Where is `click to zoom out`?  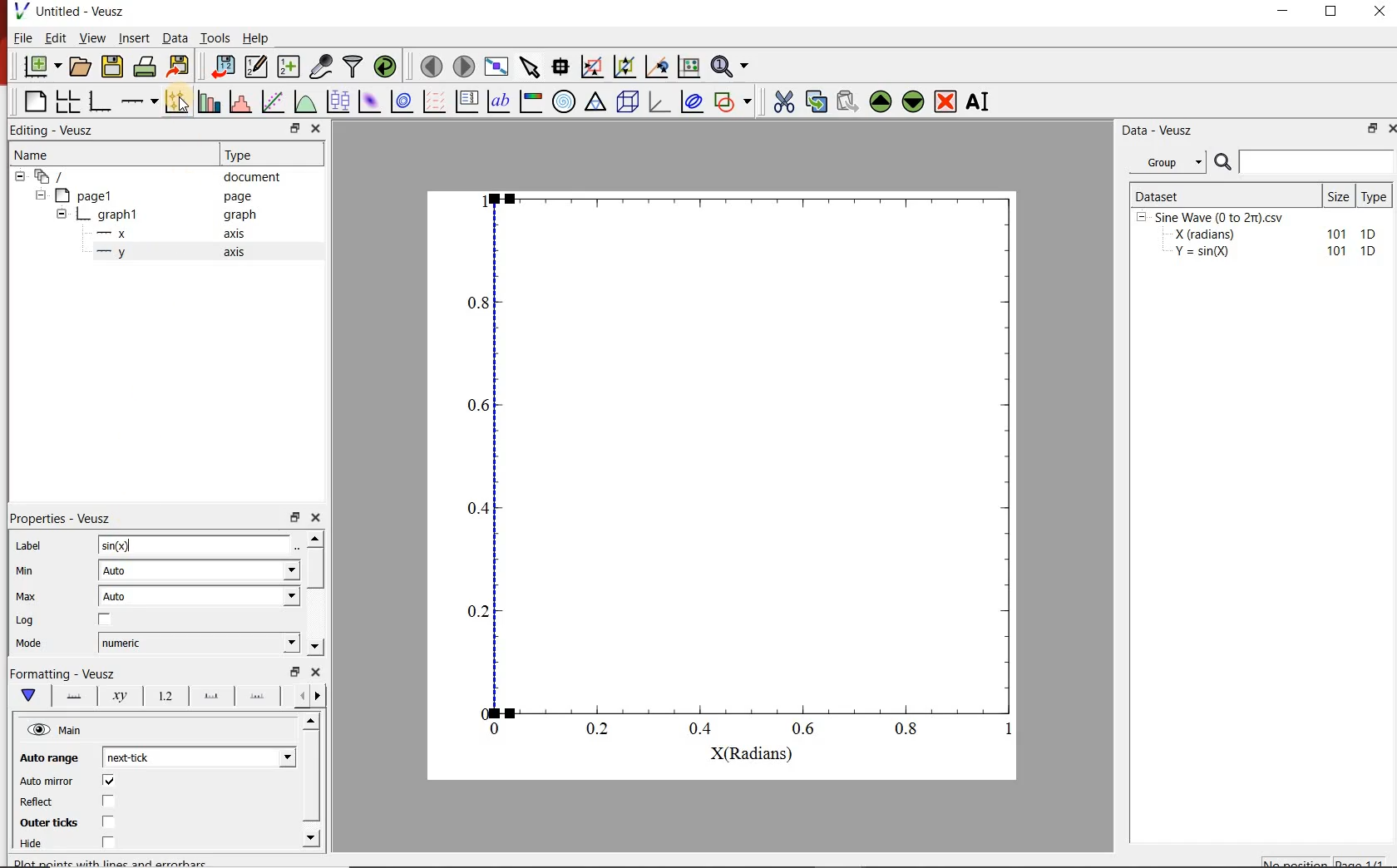
click to zoom out is located at coordinates (627, 65).